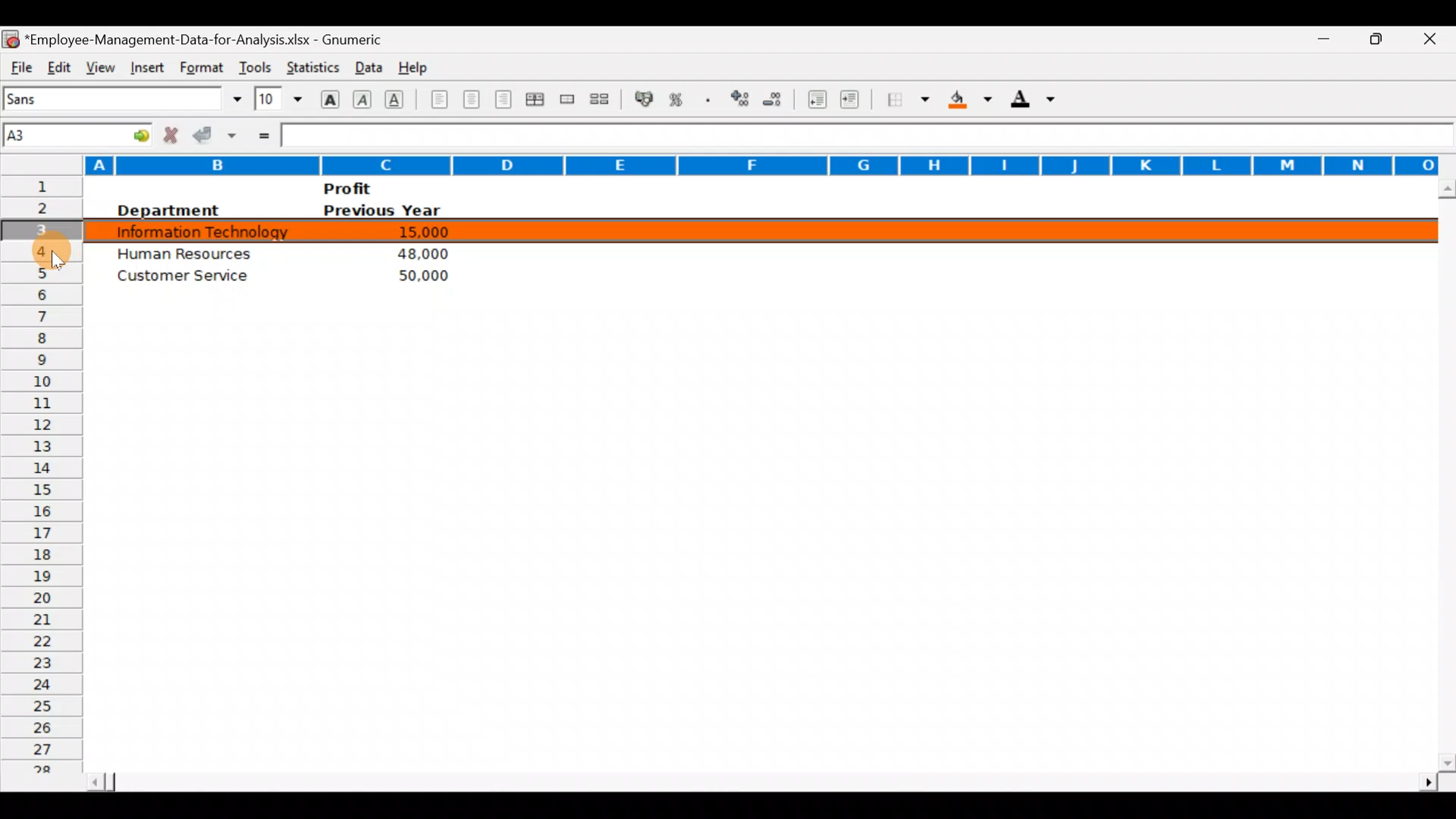 This screenshot has width=1456, height=819. What do you see at coordinates (711, 101) in the screenshot?
I see `Include a thousands operator` at bounding box center [711, 101].